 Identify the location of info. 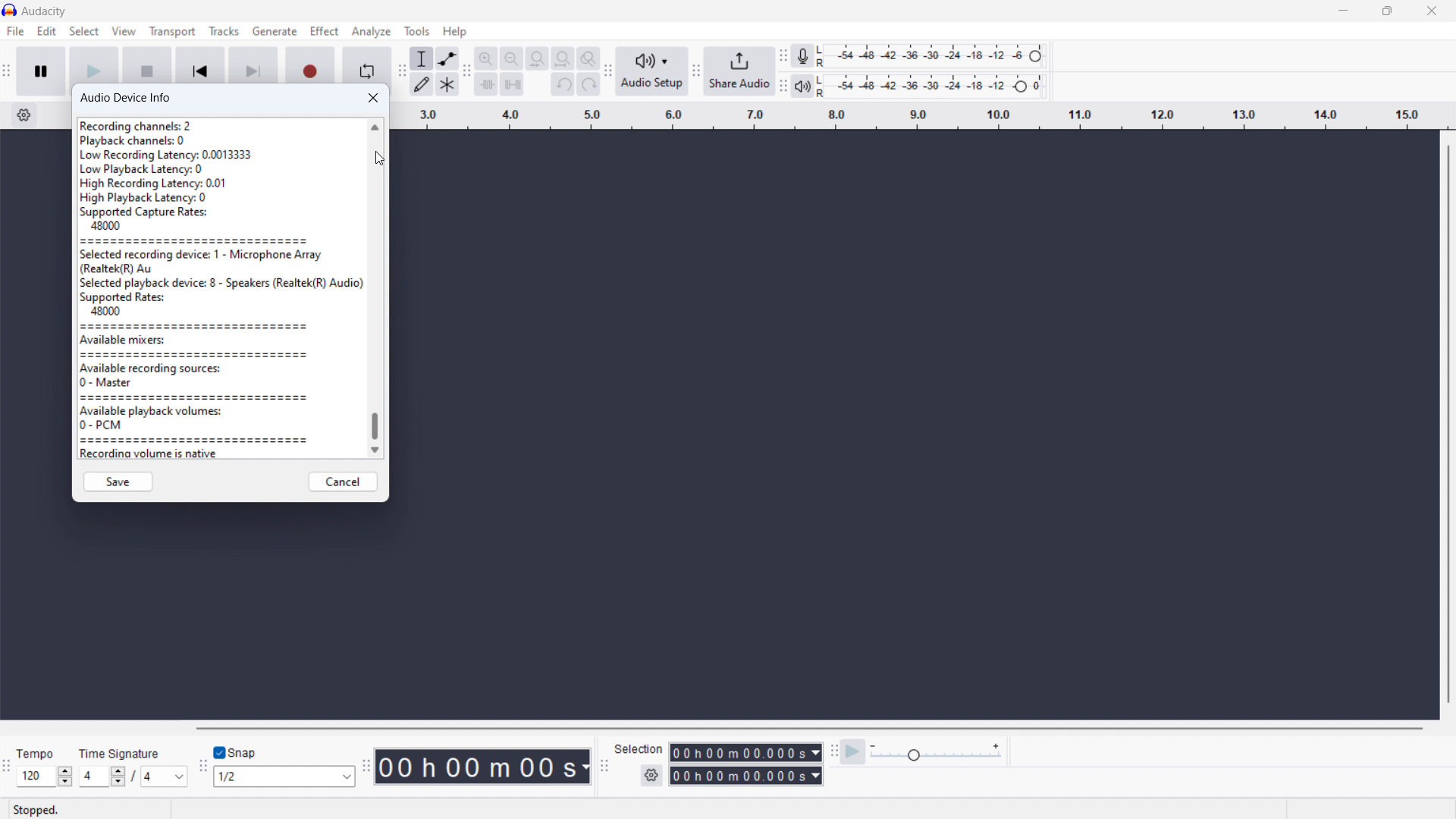
(220, 288).